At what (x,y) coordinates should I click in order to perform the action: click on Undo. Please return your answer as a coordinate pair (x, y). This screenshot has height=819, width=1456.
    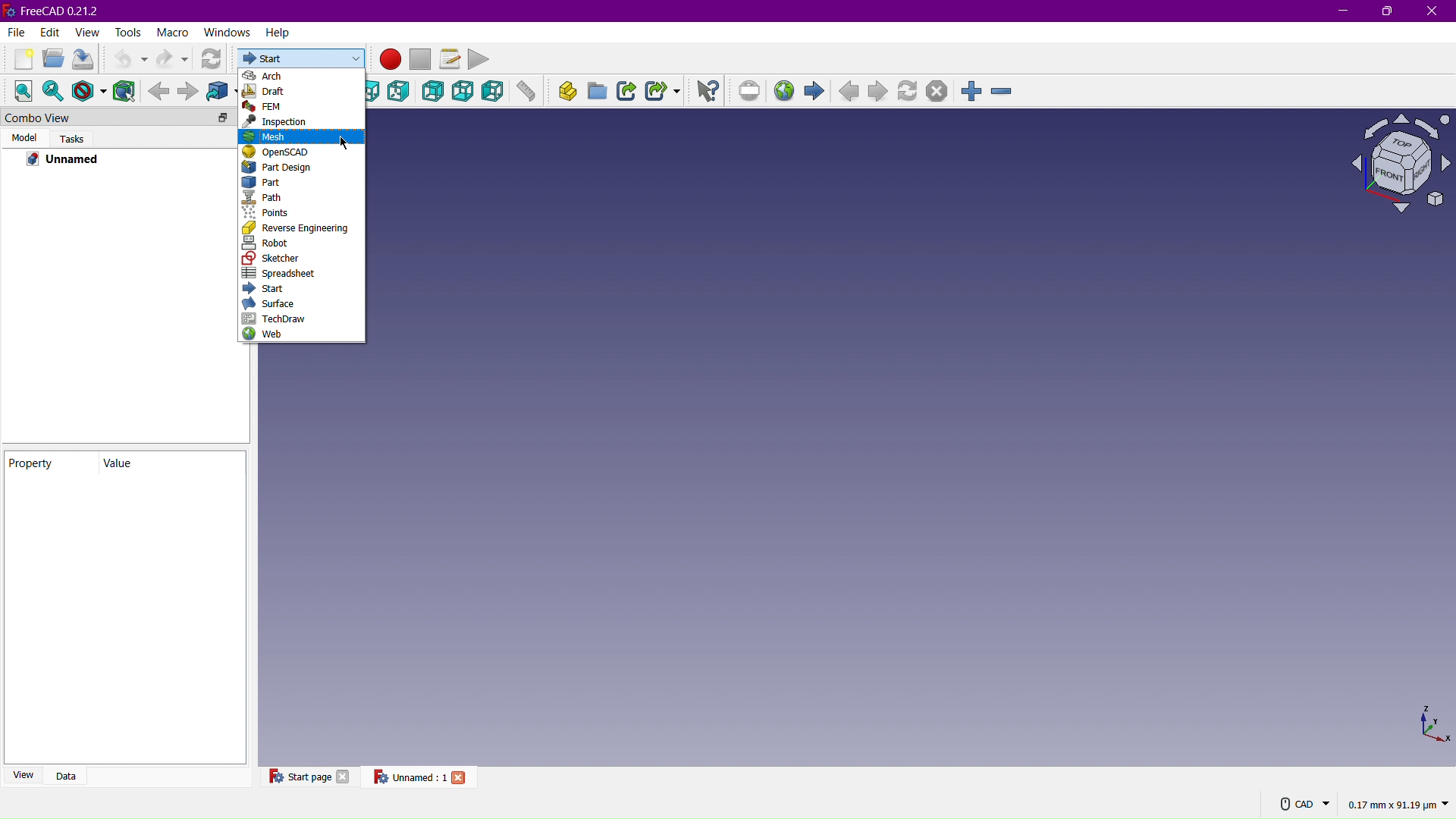
    Looking at the image, I should click on (127, 59).